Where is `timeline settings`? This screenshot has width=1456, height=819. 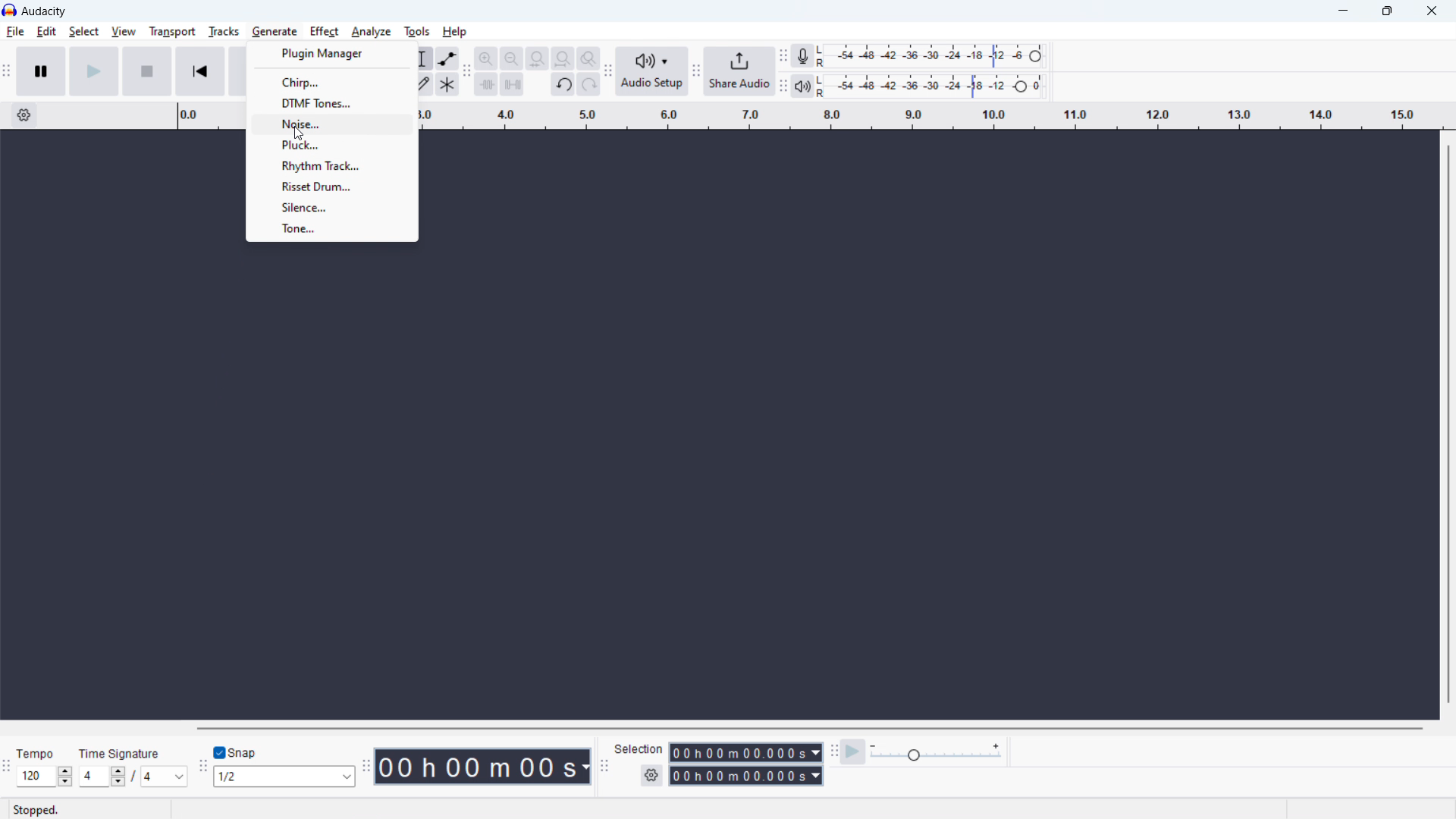
timeline settings is located at coordinates (23, 116).